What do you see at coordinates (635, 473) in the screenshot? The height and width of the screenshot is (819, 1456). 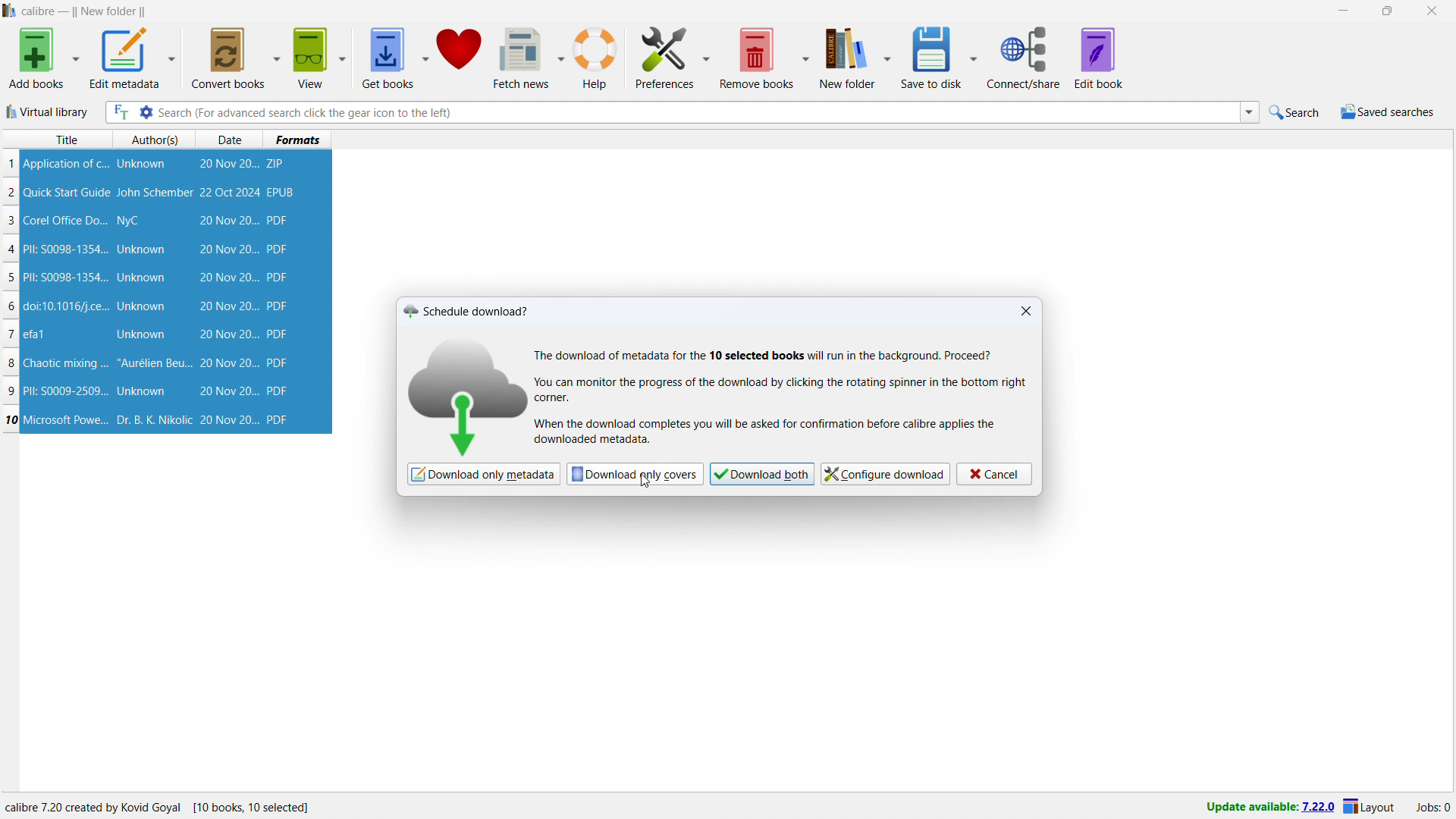 I see `download only covers` at bounding box center [635, 473].